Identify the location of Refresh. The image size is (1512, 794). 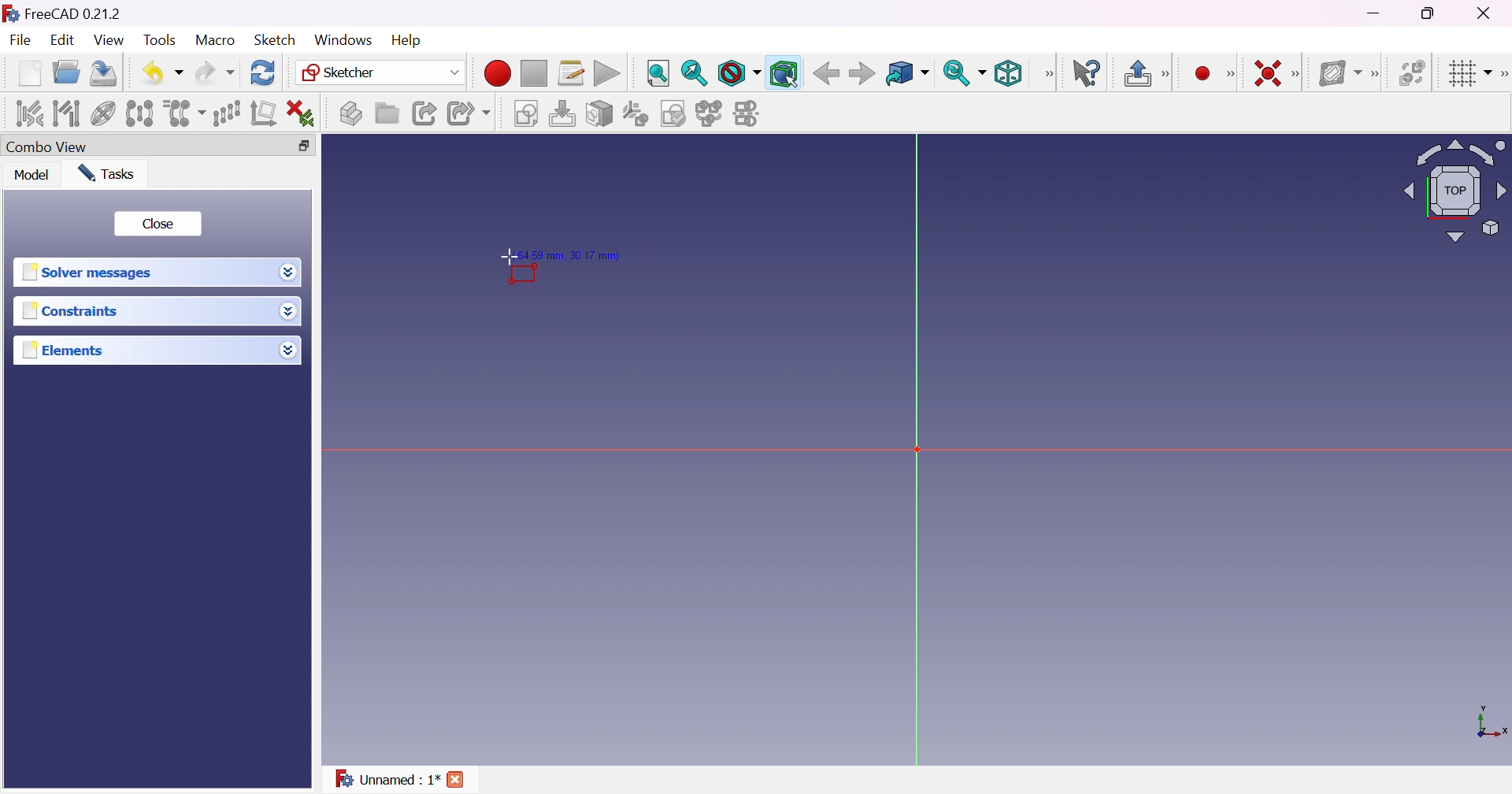
(265, 72).